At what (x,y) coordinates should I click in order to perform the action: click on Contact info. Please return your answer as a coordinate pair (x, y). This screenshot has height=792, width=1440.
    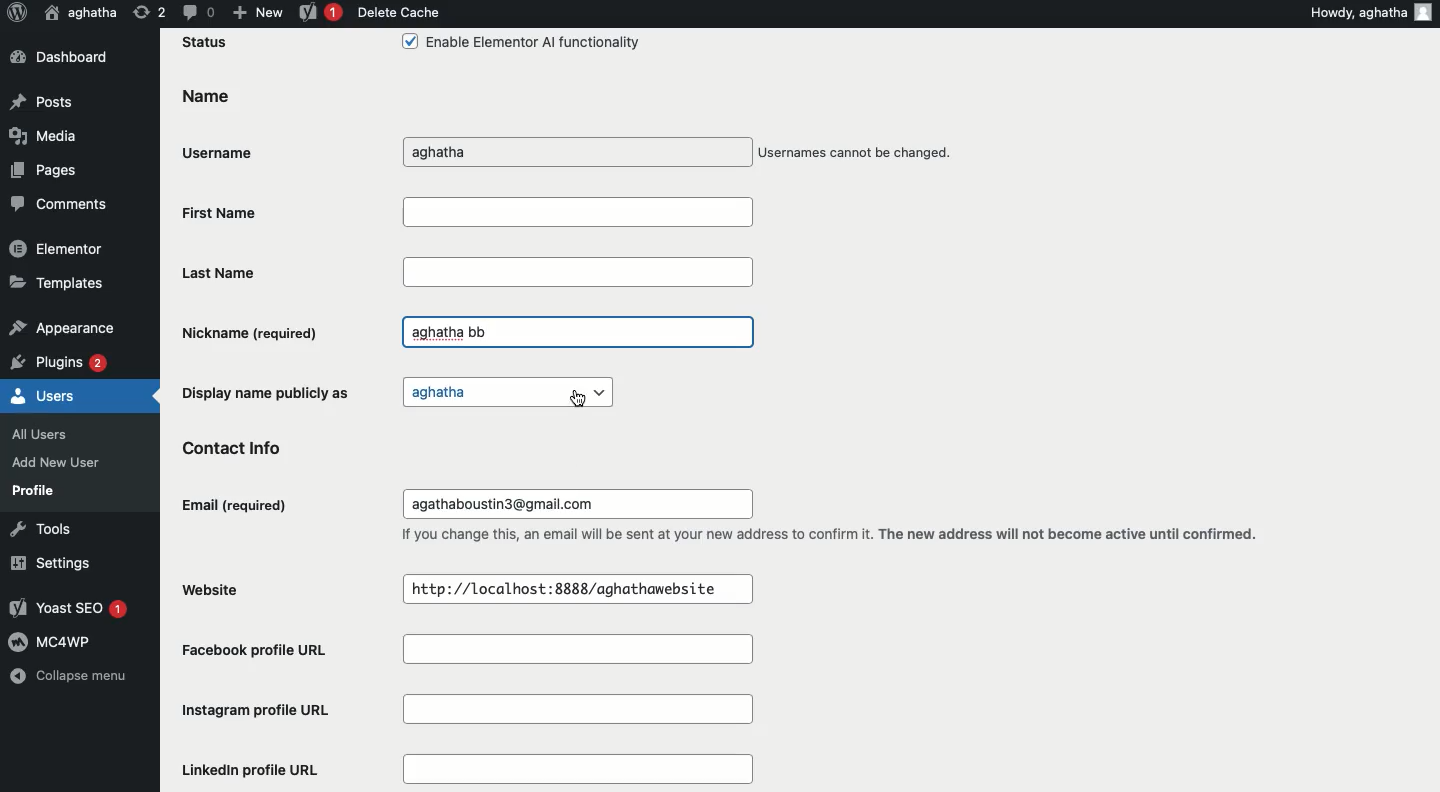
    Looking at the image, I should click on (244, 446).